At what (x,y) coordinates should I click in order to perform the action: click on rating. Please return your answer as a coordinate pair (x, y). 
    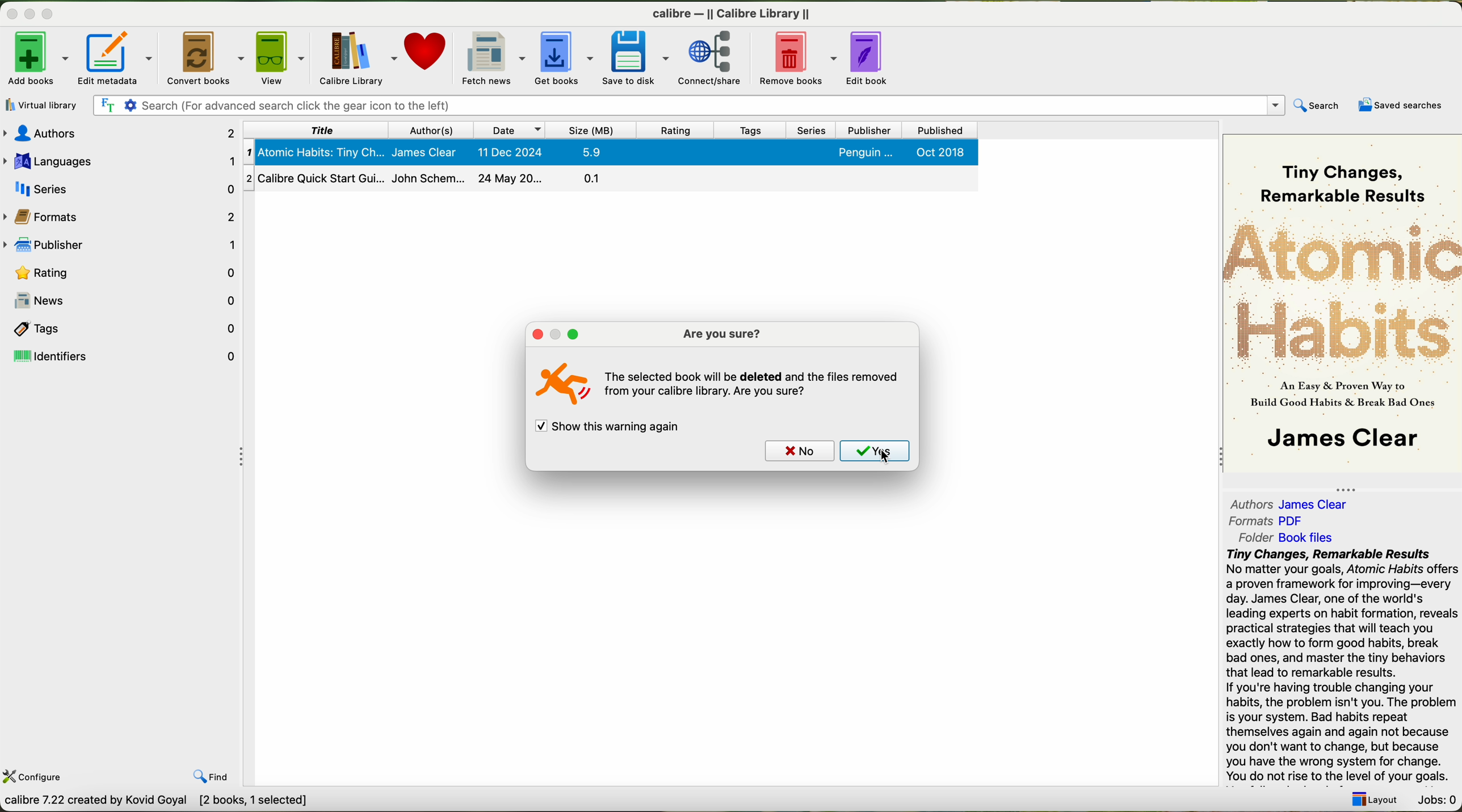
    Looking at the image, I should click on (676, 129).